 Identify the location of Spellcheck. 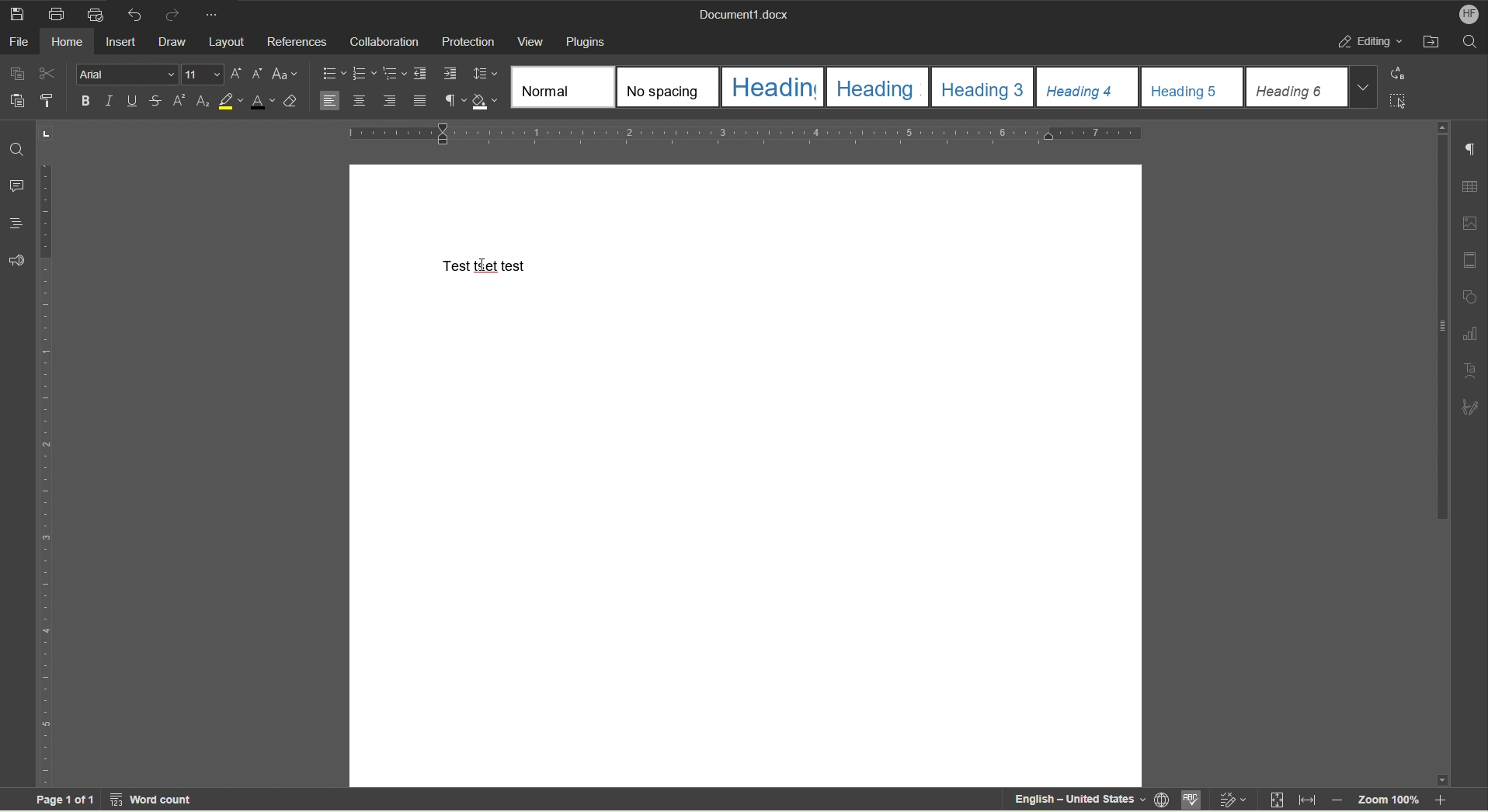
(1194, 801).